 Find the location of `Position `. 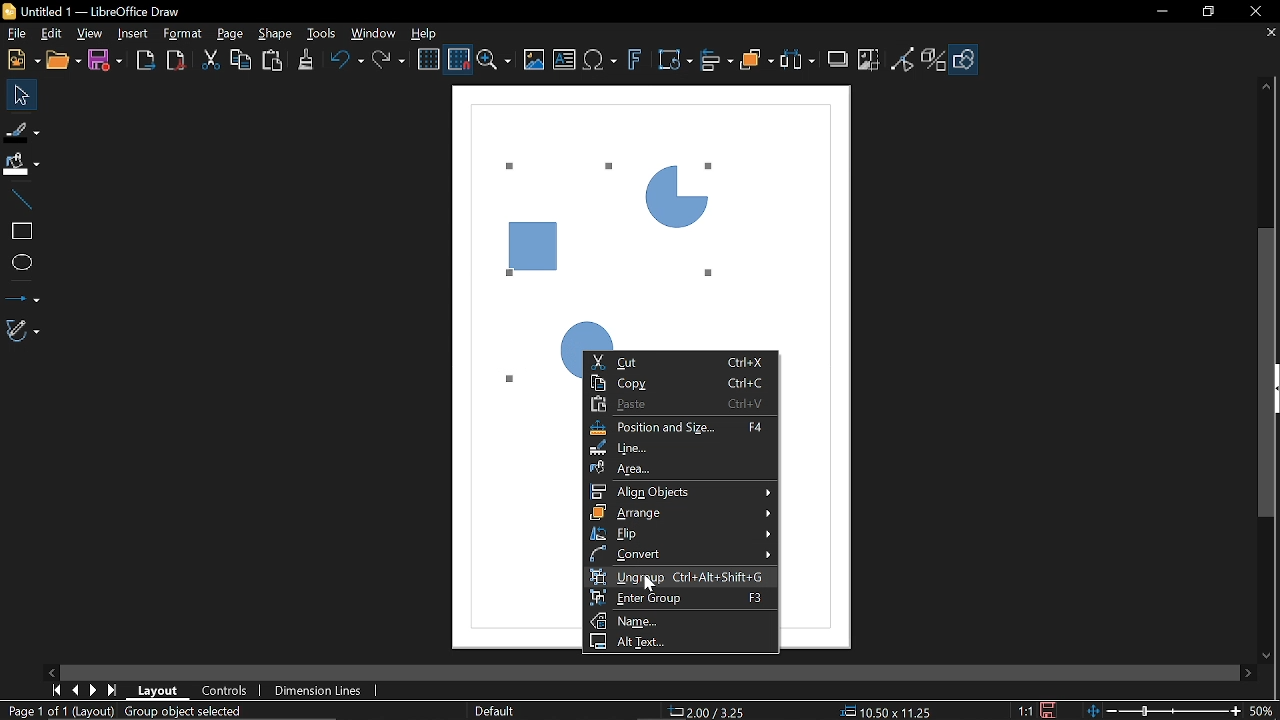

Position  is located at coordinates (713, 711).